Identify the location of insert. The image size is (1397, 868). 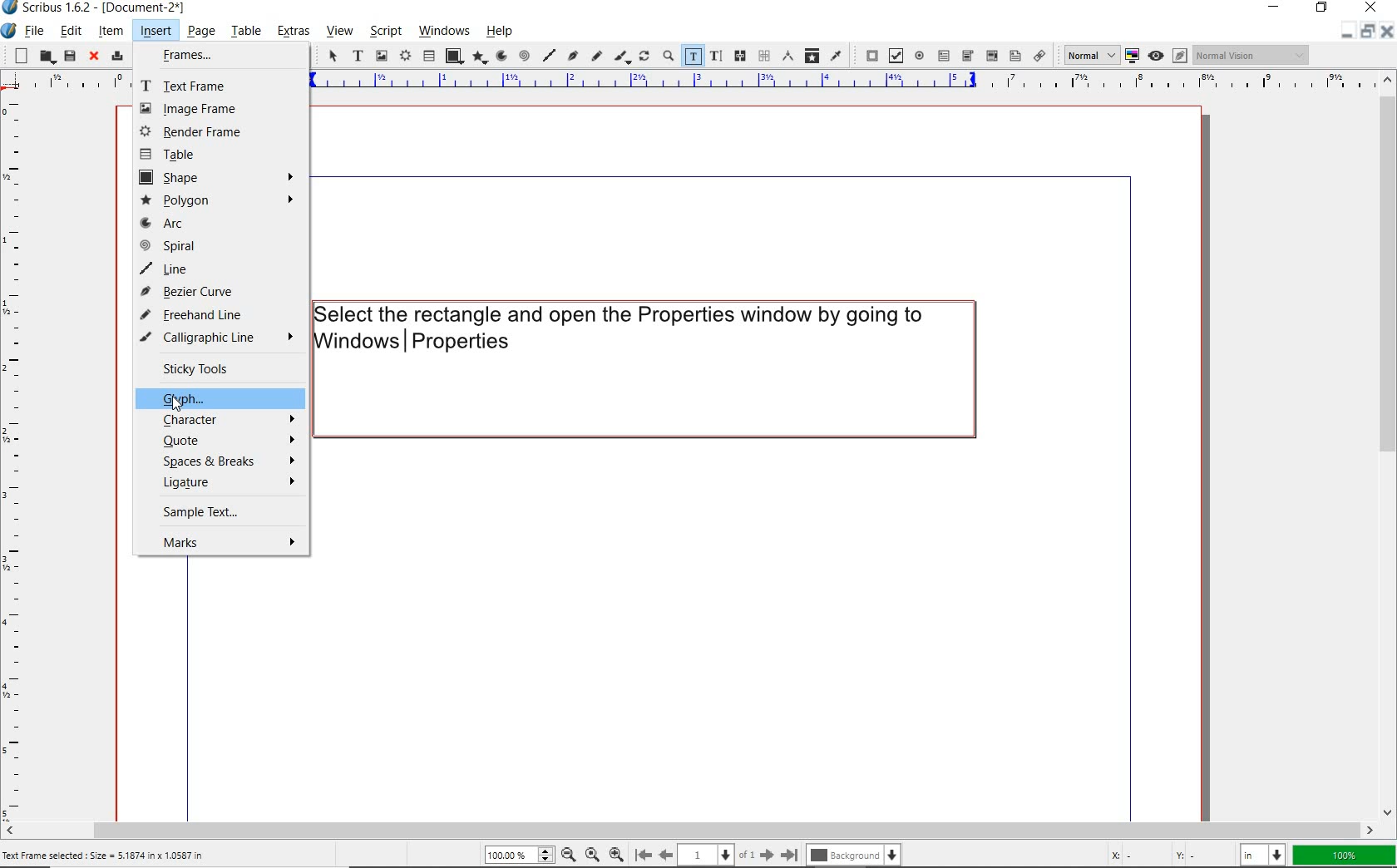
(155, 31).